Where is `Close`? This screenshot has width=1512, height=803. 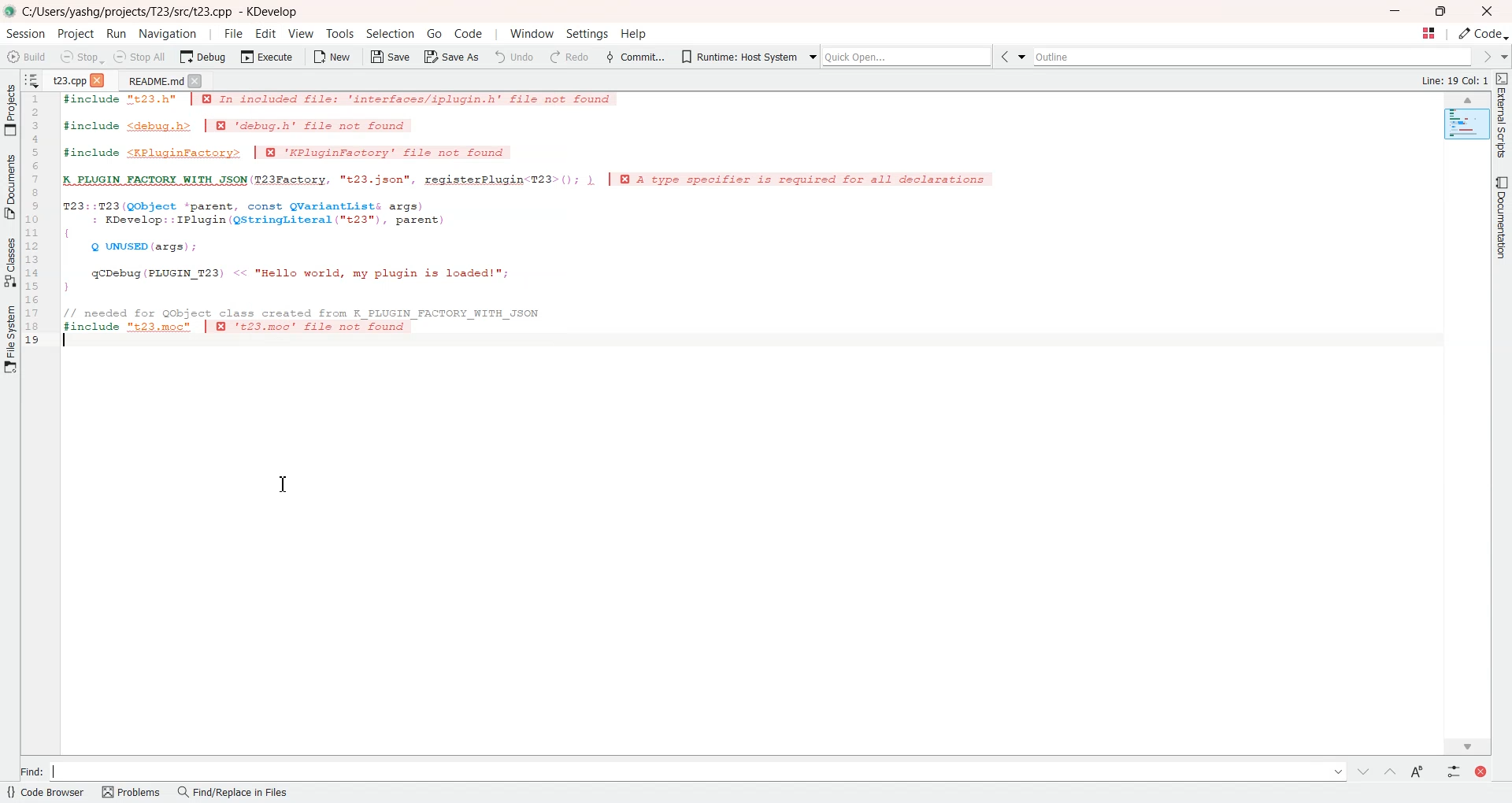
Close is located at coordinates (1487, 11).